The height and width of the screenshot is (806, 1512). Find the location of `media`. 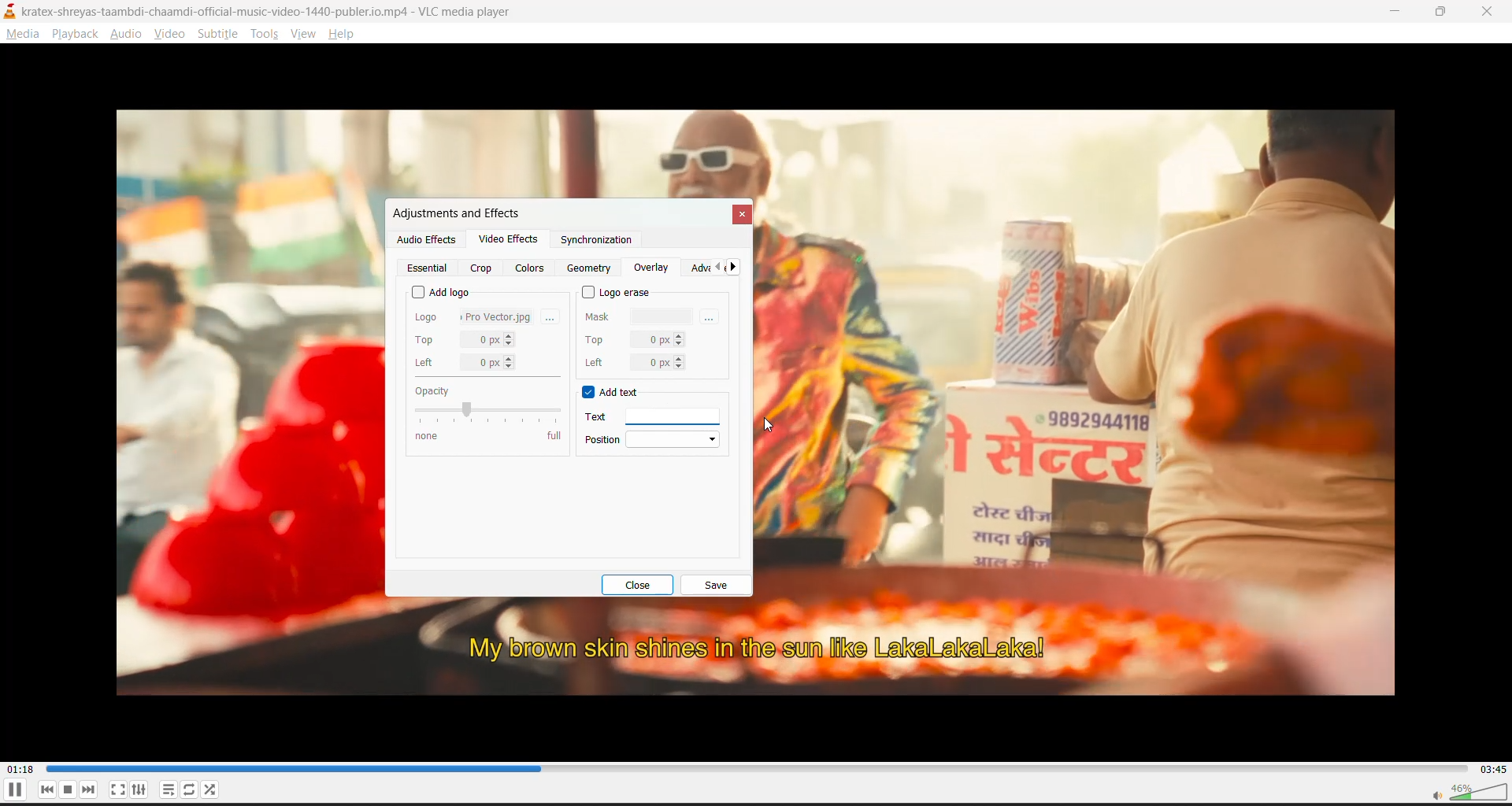

media is located at coordinates (24, 37).